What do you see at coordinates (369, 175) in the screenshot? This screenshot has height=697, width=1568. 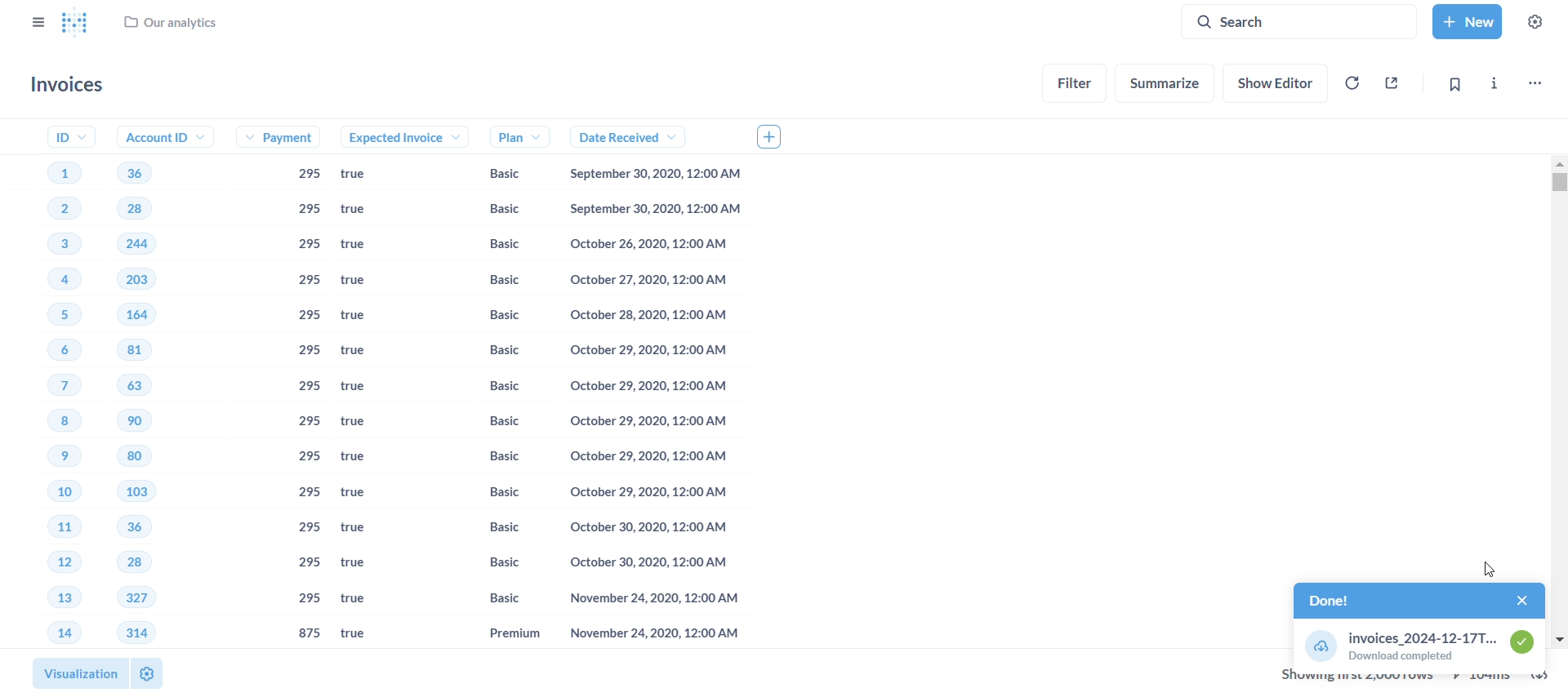 I see `true` at bounding box center [369, 175].